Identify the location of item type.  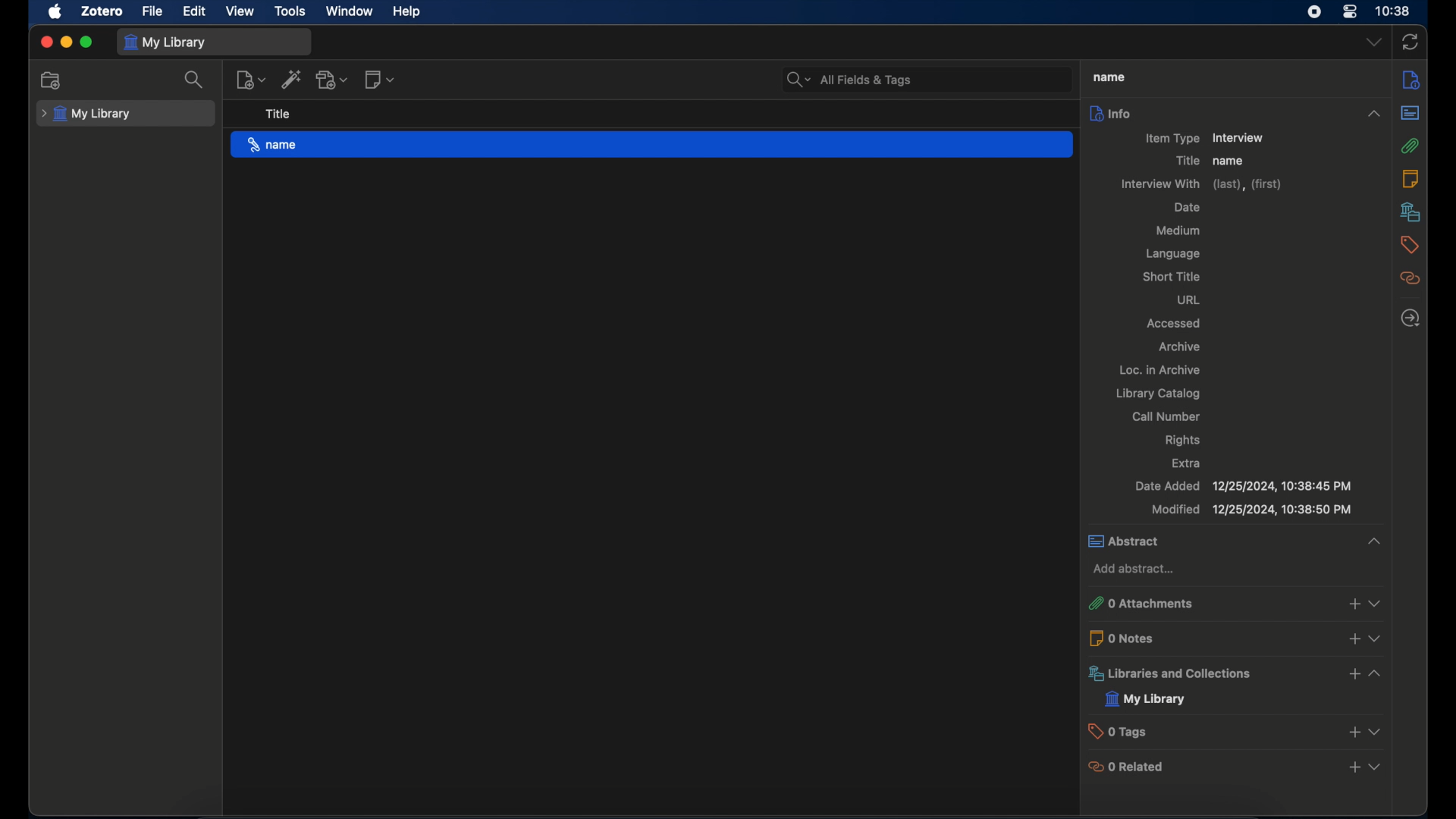
(1171, 137).